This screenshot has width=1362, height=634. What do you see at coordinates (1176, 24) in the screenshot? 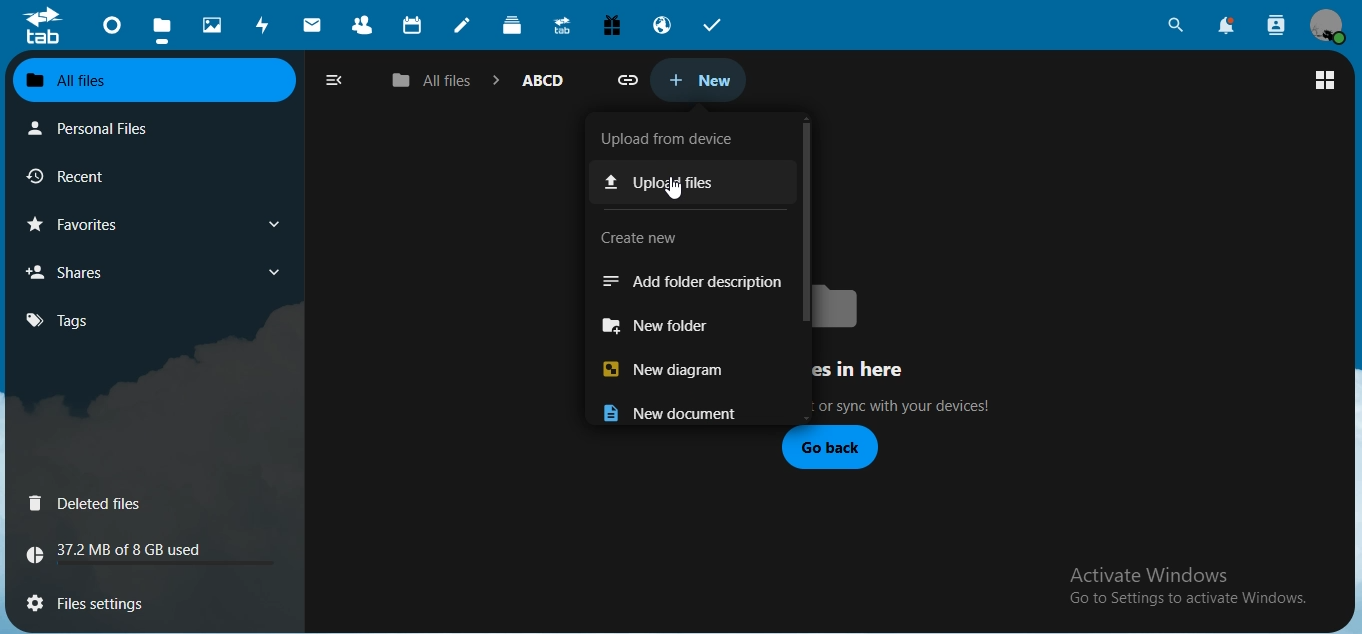
I see `search` at bounding box center [1176, 24].